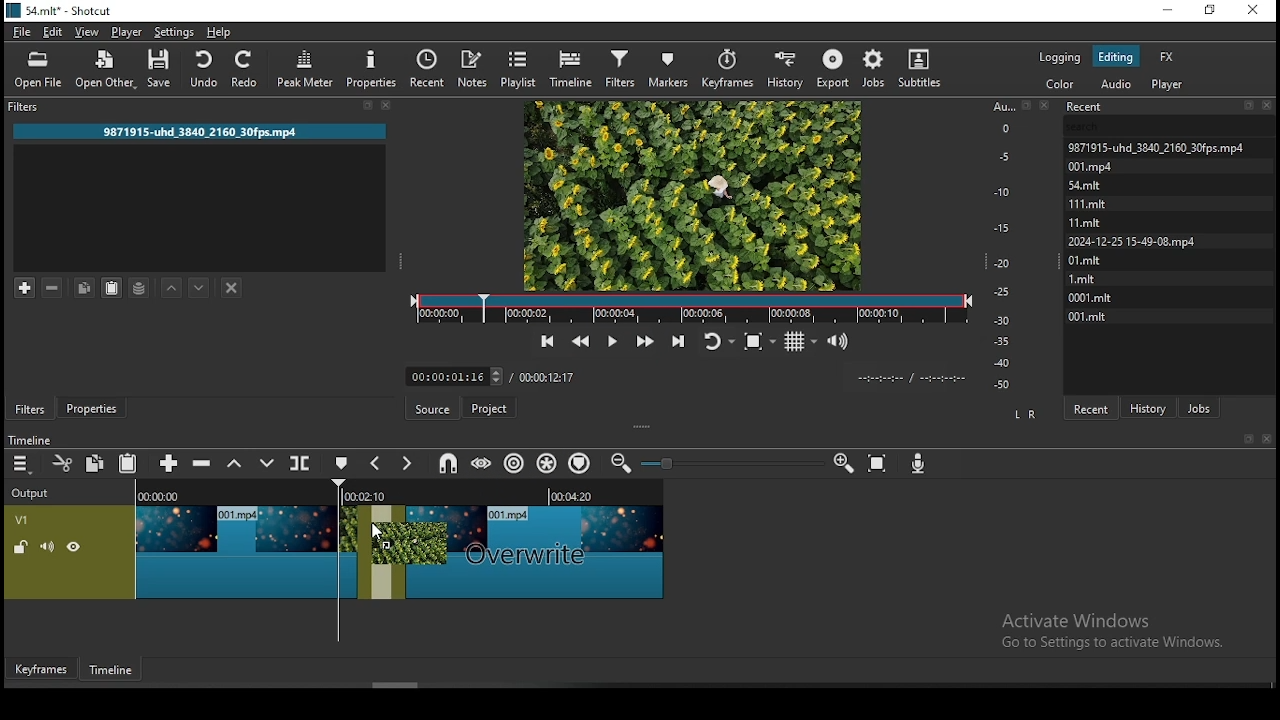  I want to click on toggle grid display on the player, so click(799, 340).